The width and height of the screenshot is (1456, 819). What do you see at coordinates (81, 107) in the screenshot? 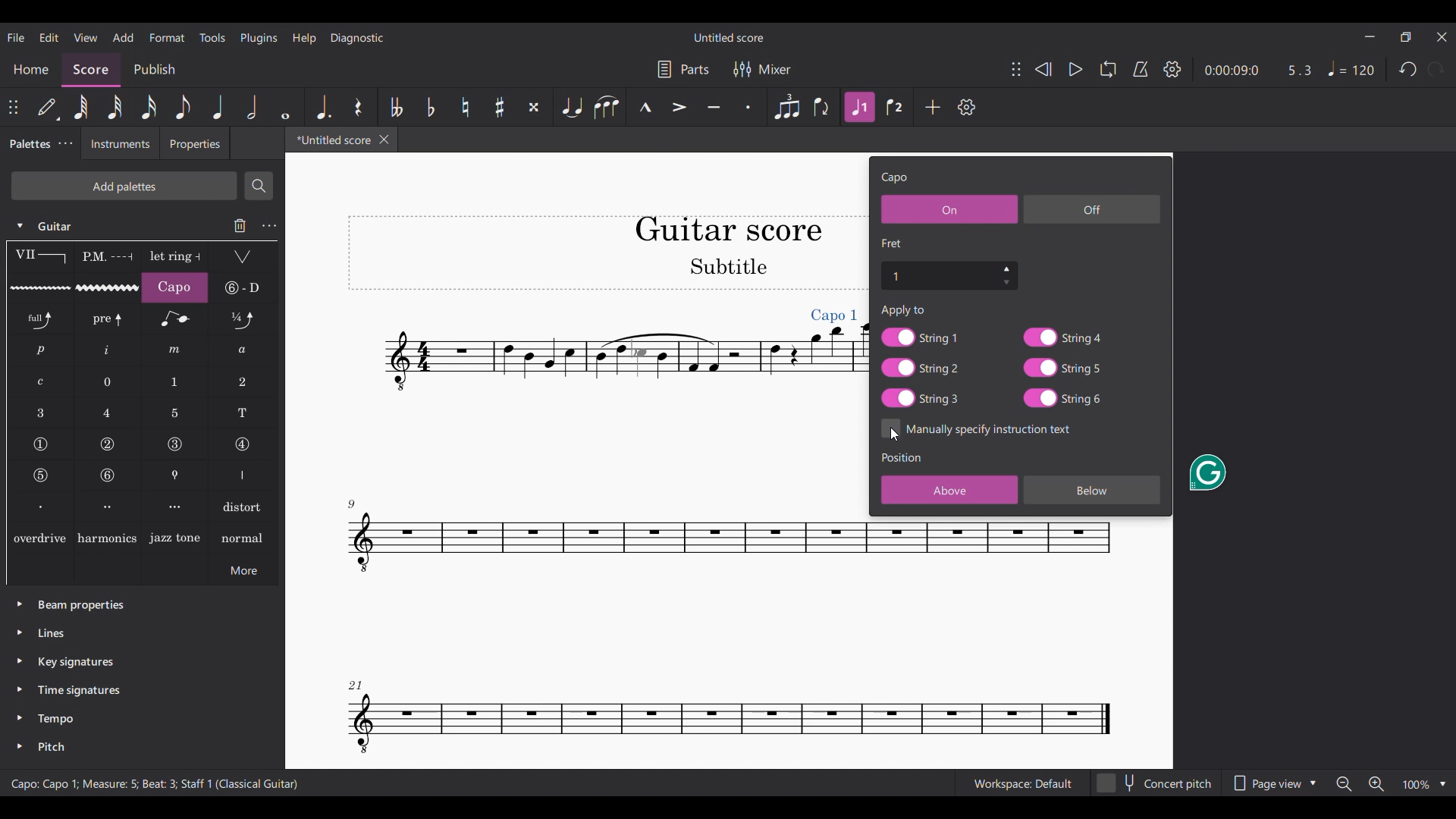
I see `64th note` at bounding box center [81, 107].